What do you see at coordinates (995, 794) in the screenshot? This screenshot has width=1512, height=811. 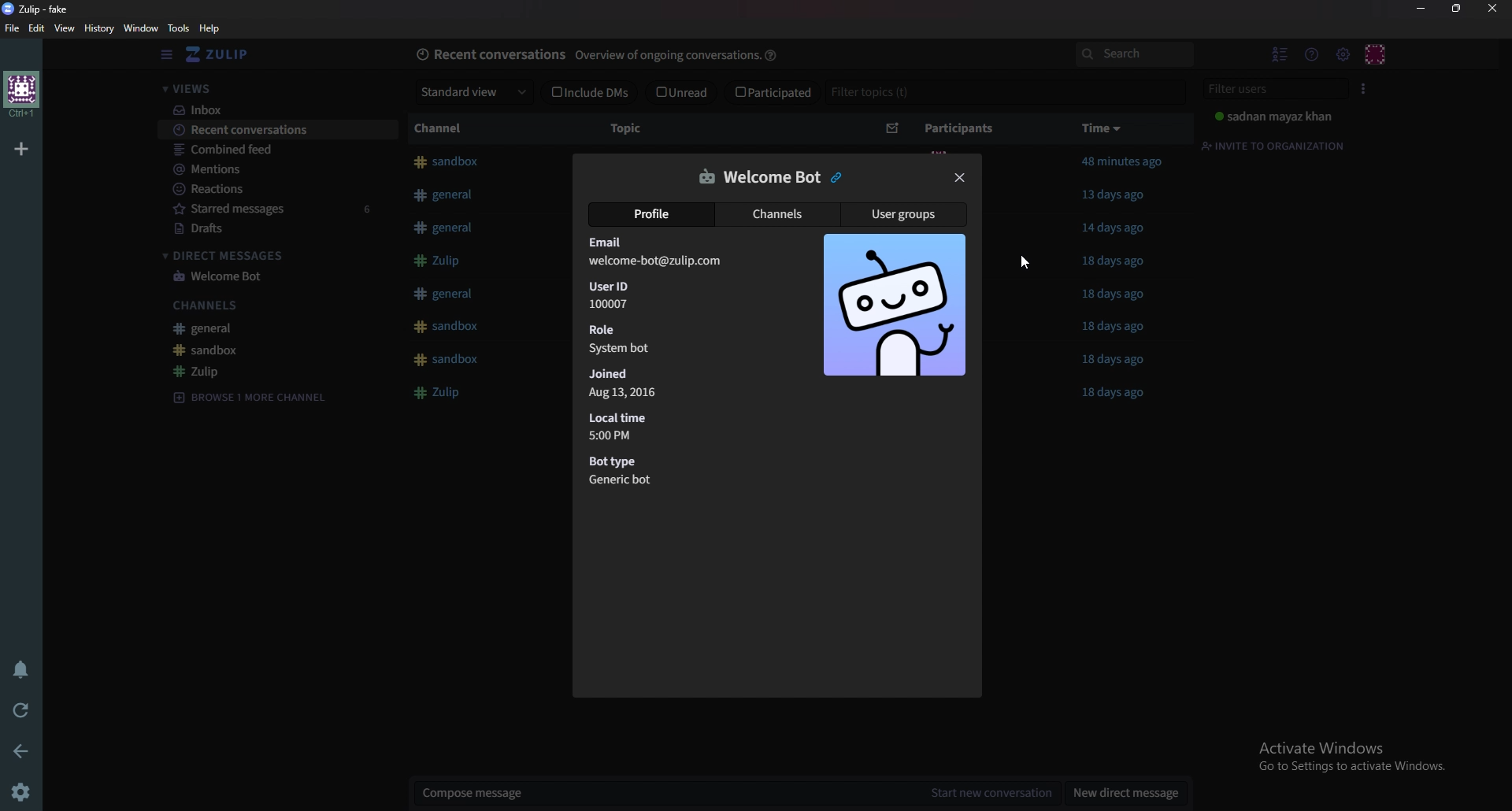 I see `Start new conversation` at bounding box center [995, 794].